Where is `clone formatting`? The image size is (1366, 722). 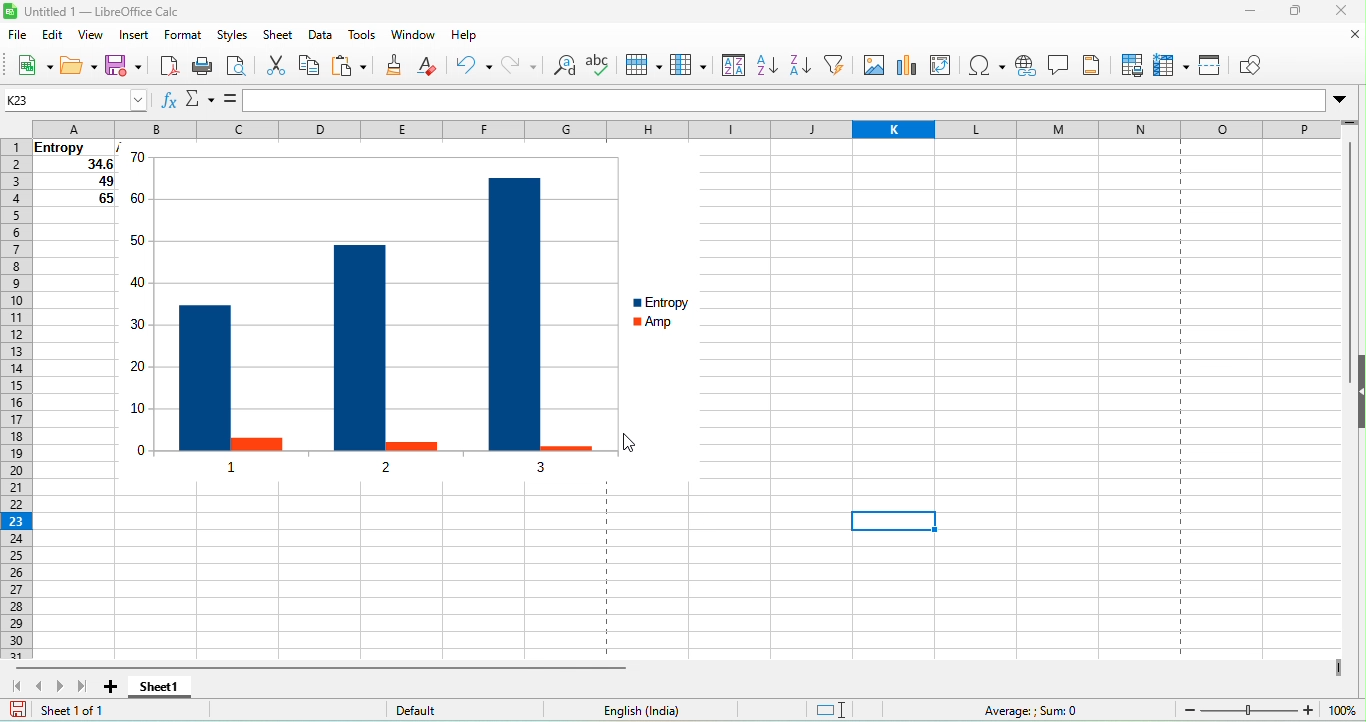
clone formatting is located at coordinates (398, 67).